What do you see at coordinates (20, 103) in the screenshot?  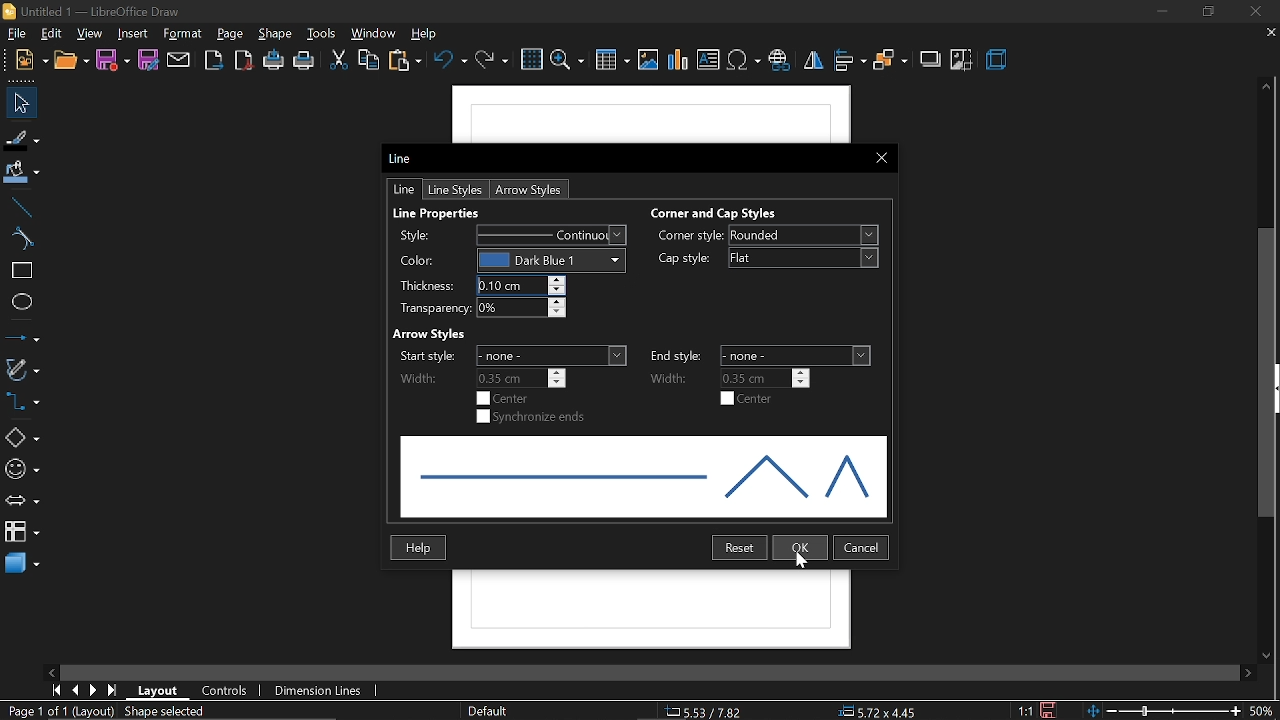 I see `move` at bounding box center [20, 103].